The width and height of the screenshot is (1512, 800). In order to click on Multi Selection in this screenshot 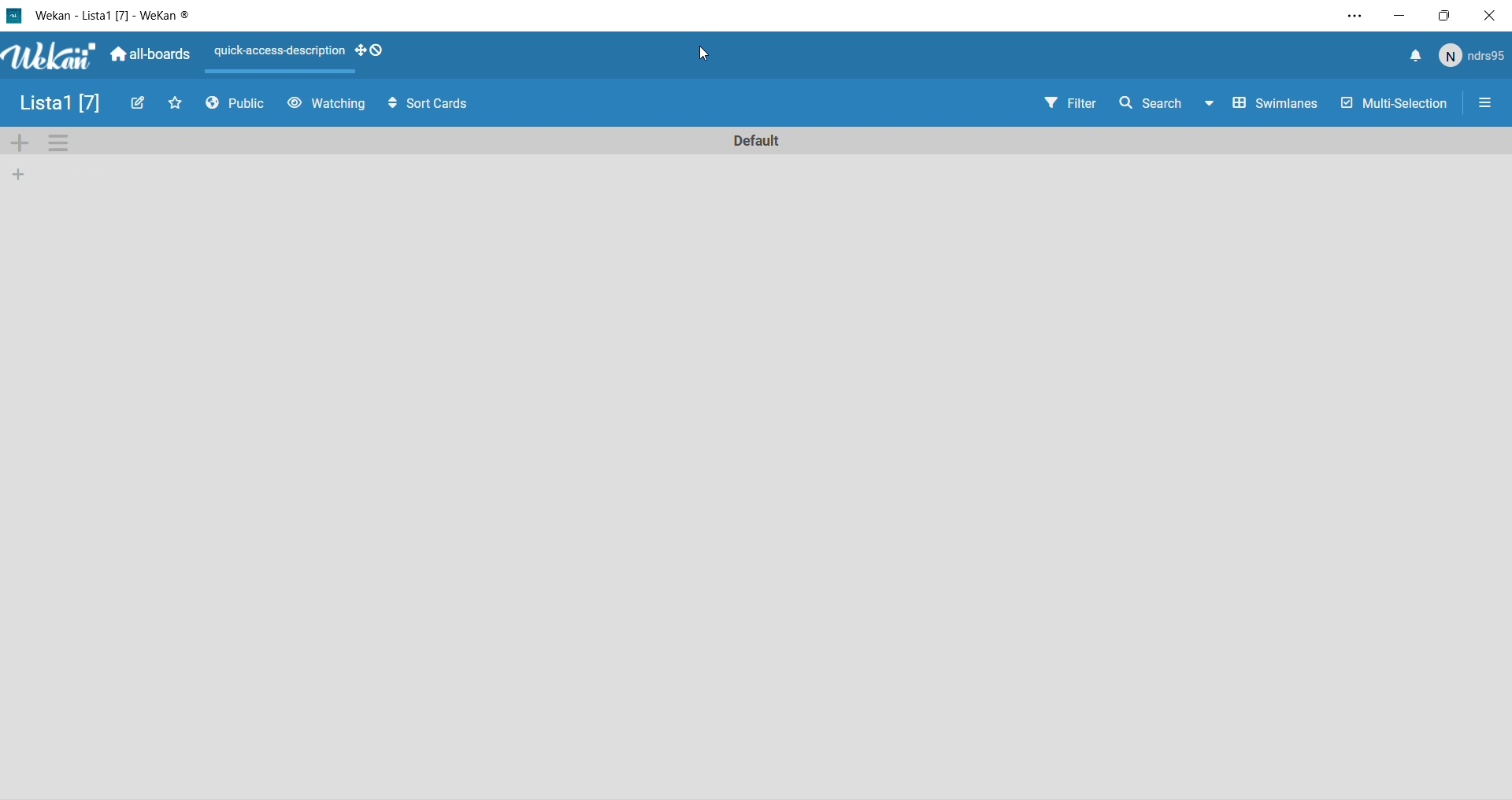, I will do `click(1396, 103)`.